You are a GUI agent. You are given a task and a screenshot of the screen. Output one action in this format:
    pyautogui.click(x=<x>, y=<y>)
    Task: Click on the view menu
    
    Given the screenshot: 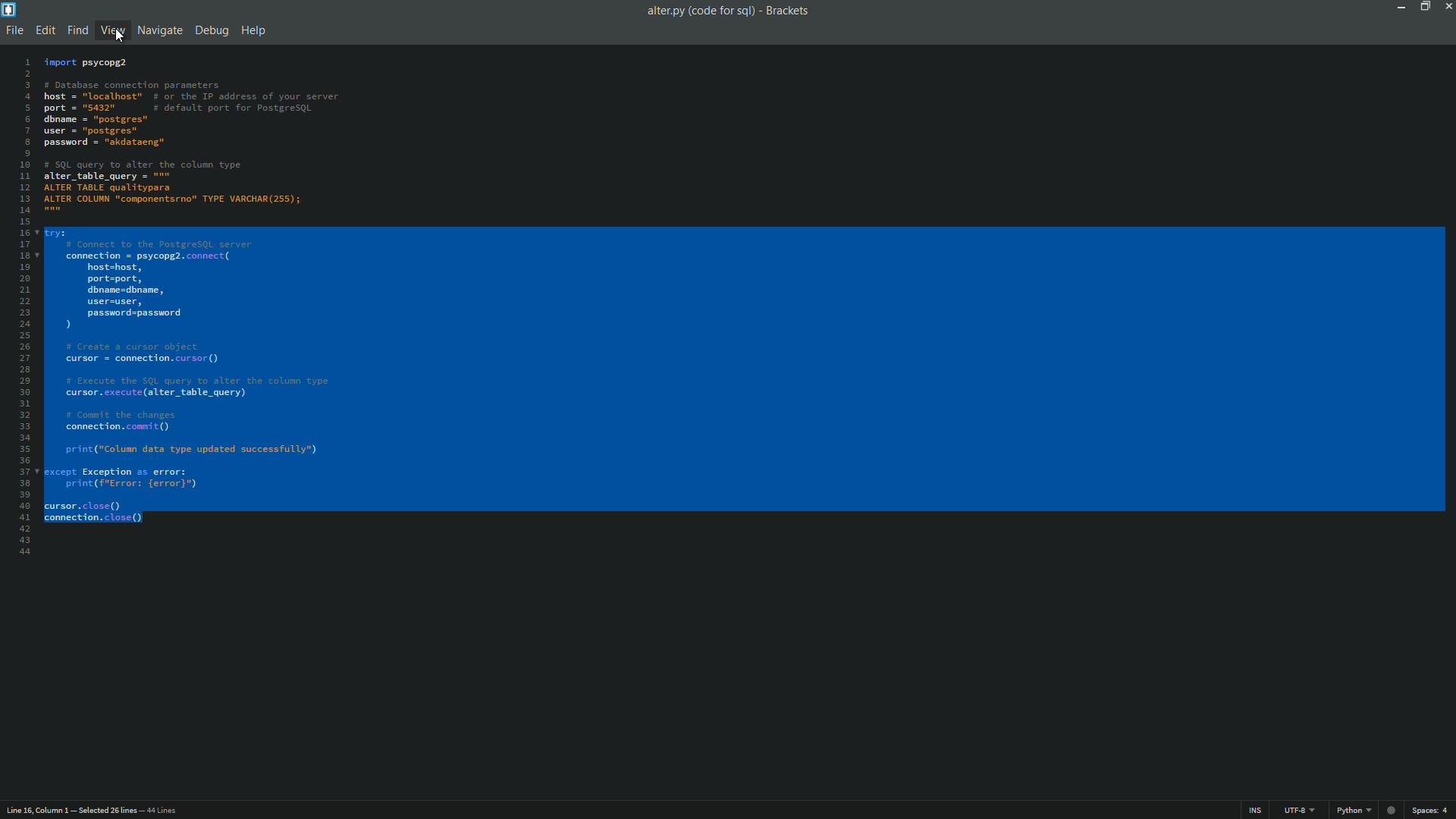 What is the action you would take?
    pyautogui.click(x=115, y=30)
    